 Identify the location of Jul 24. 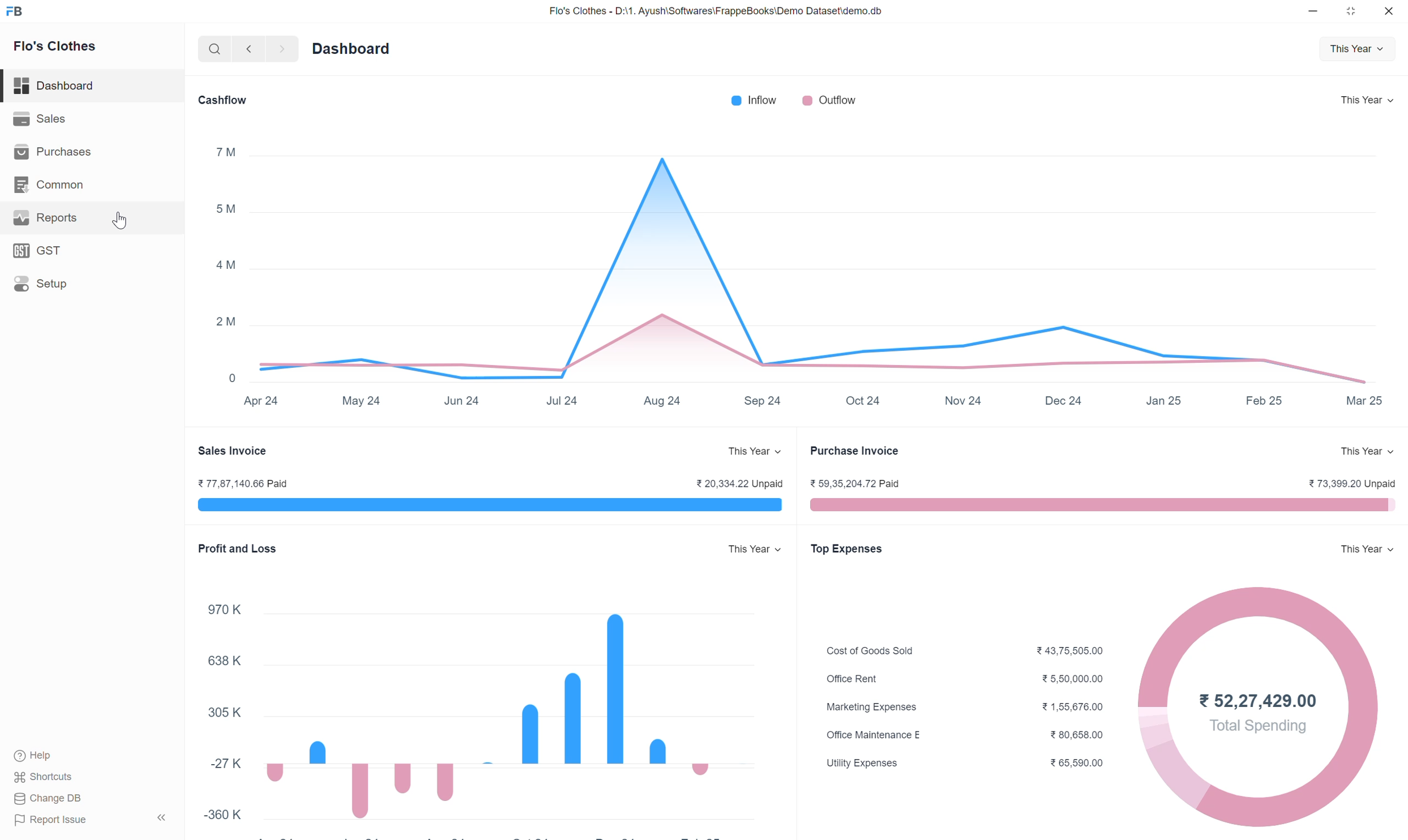
(560, 401).